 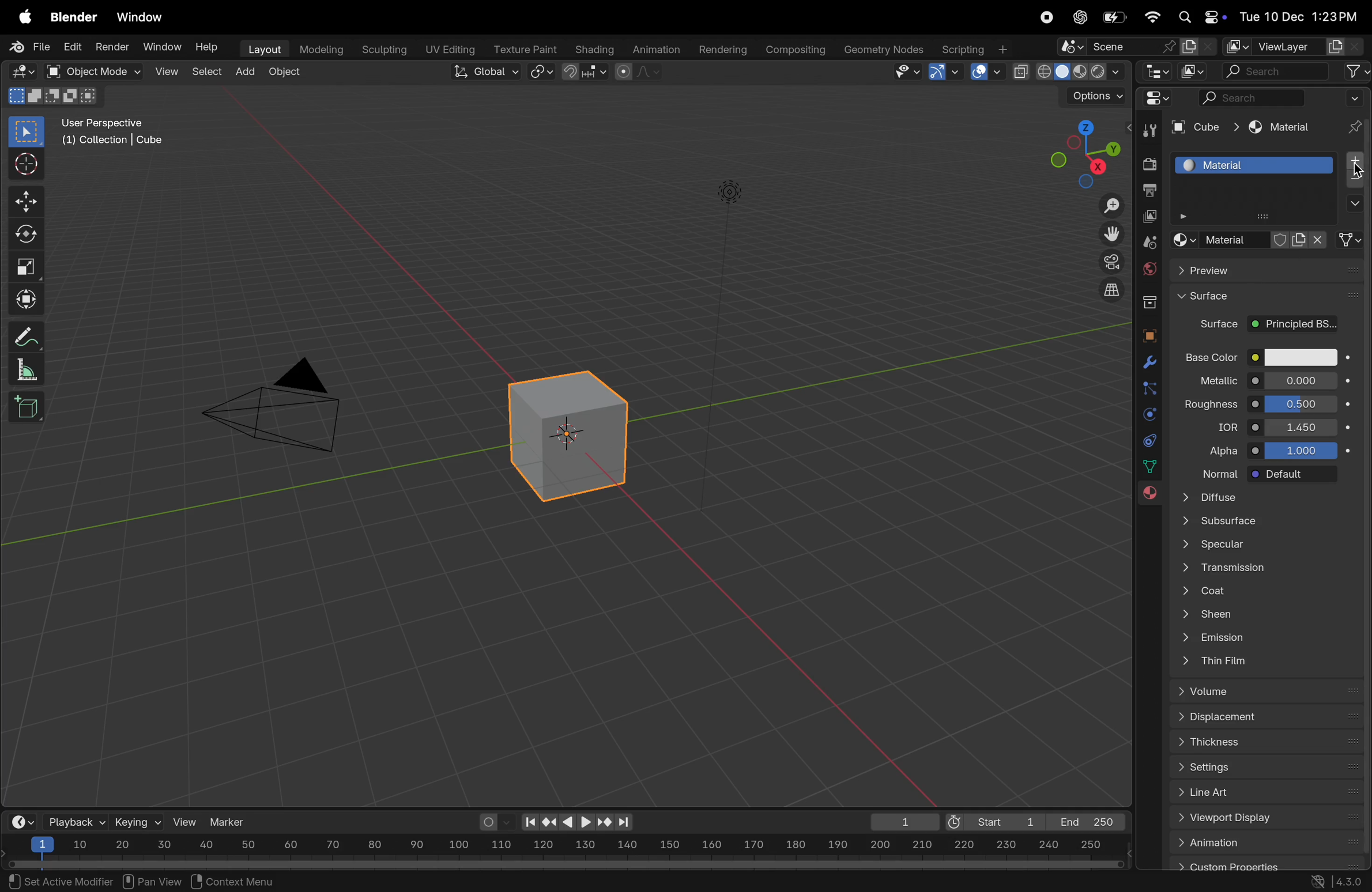 I want to click on scale, so click(x=22, y=369).